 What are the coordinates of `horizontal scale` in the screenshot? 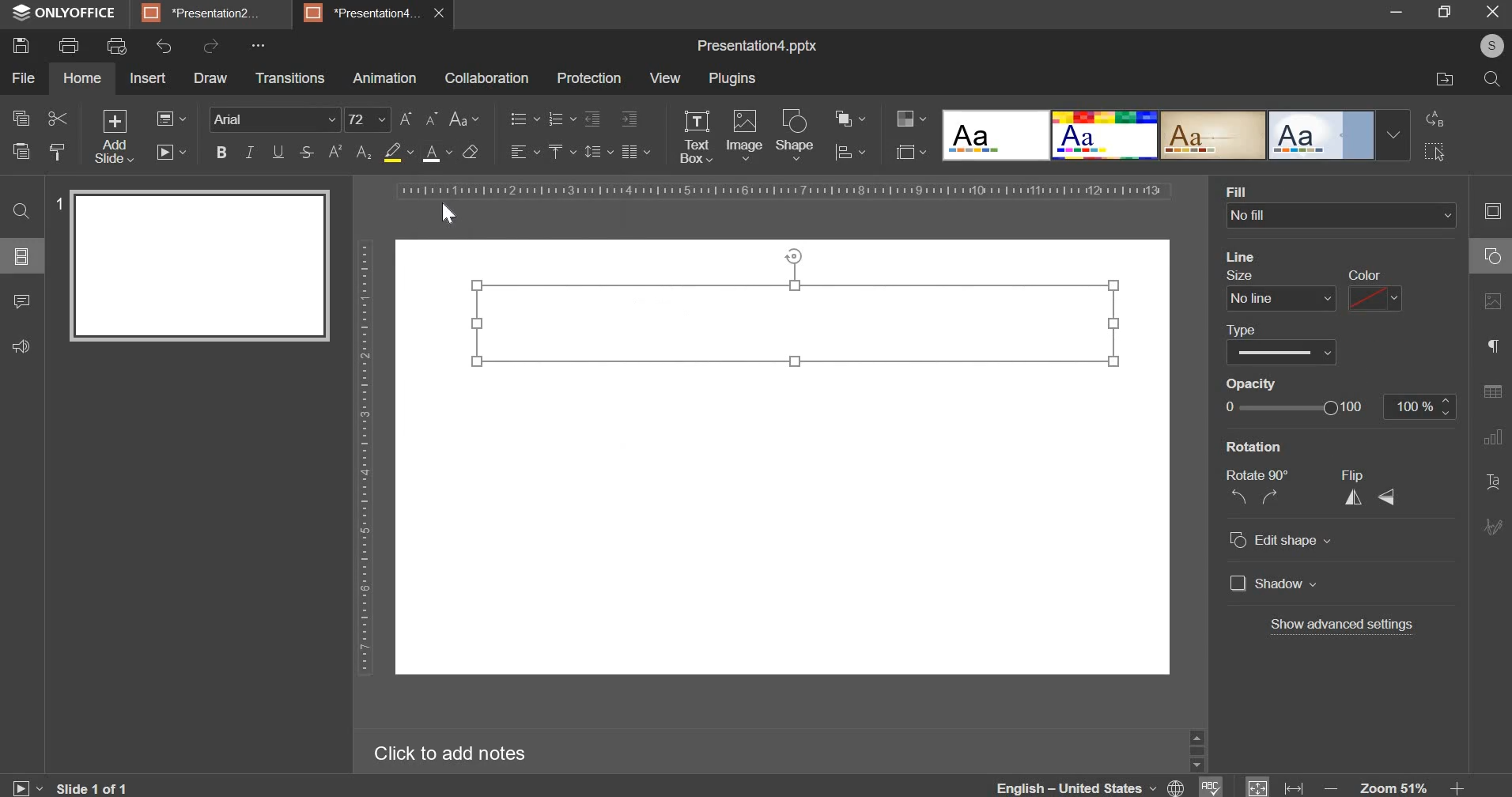 It's located at (788, 191).